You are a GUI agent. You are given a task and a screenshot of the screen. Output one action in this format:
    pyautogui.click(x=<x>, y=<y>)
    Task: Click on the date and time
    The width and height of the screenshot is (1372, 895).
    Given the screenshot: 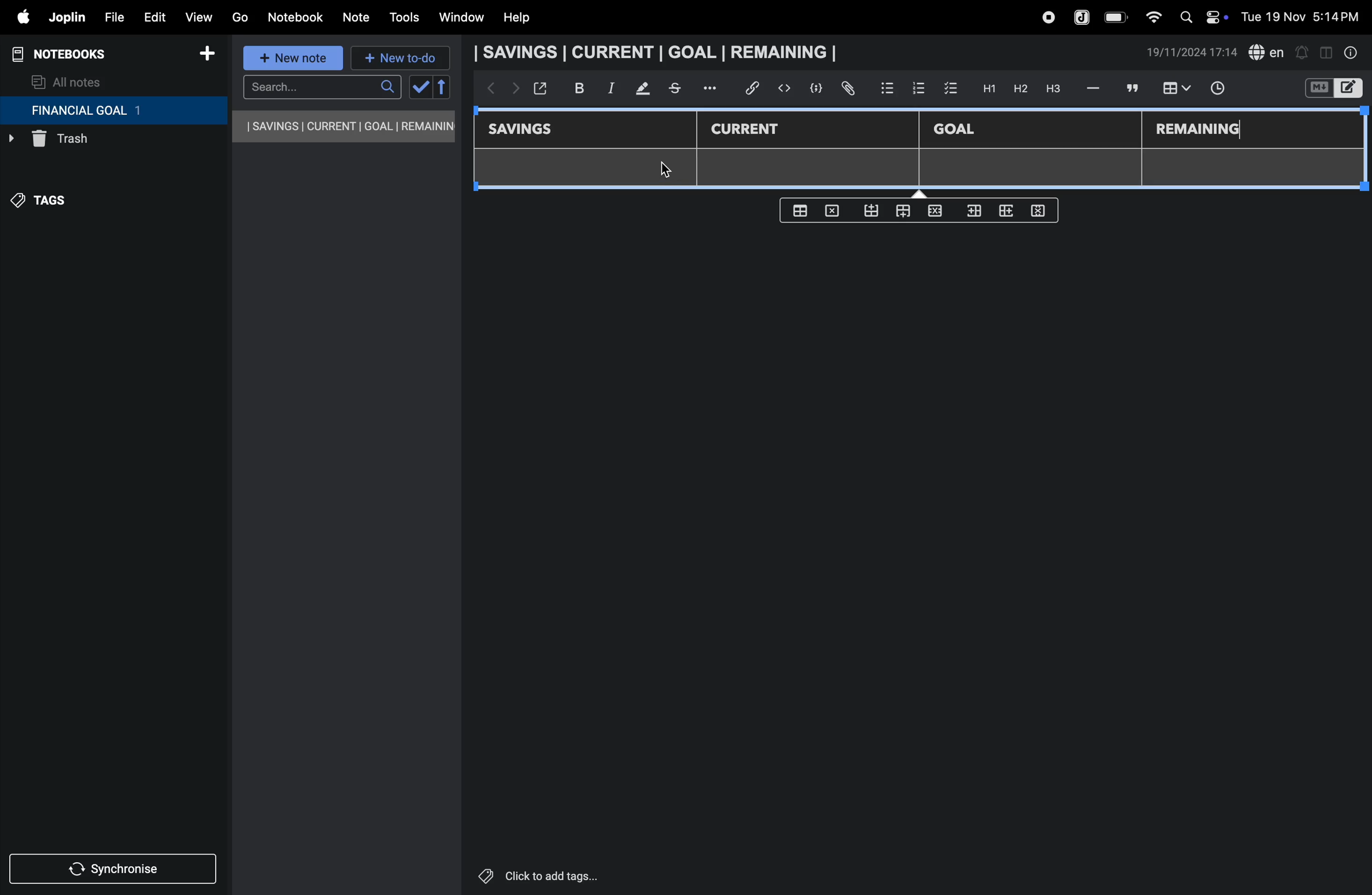 What is the action you would take?
    pyautogui.click(x=1304, y=16)
    